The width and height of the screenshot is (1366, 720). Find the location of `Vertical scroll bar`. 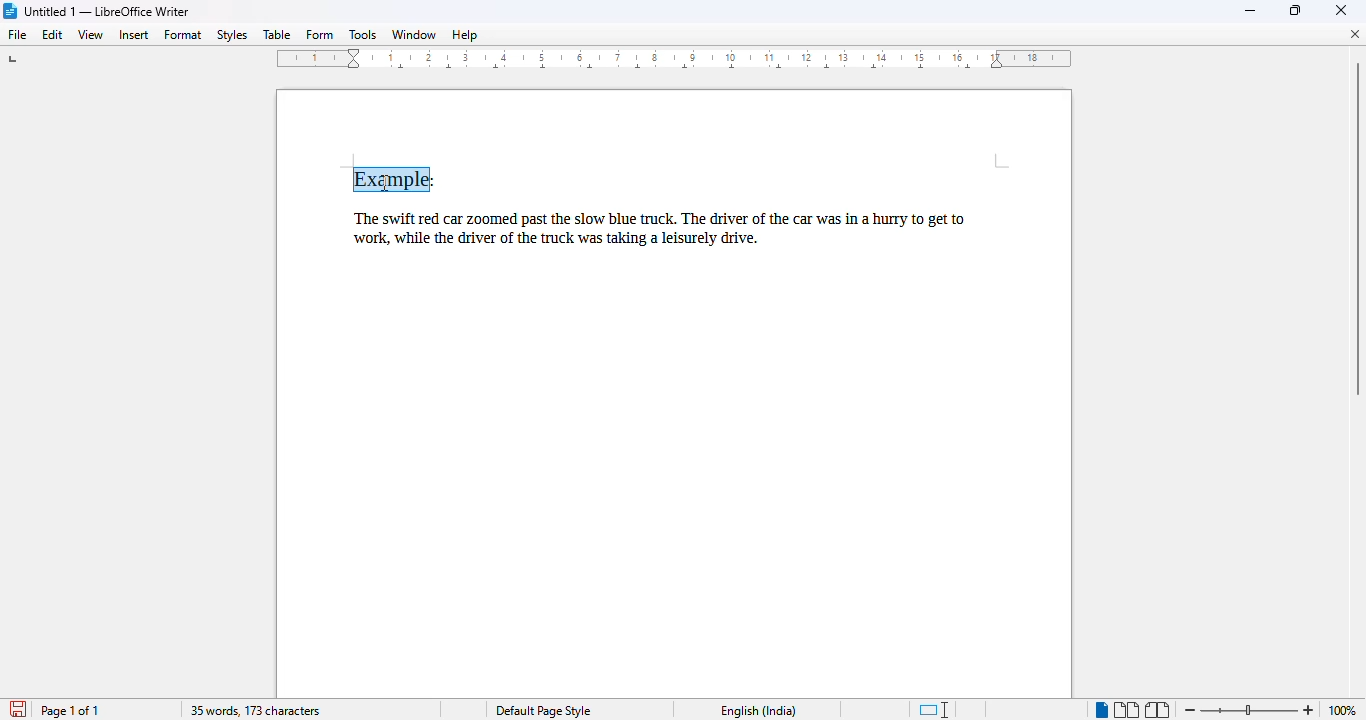

Vertical scroll bar is located at coordinates (1357, 229).